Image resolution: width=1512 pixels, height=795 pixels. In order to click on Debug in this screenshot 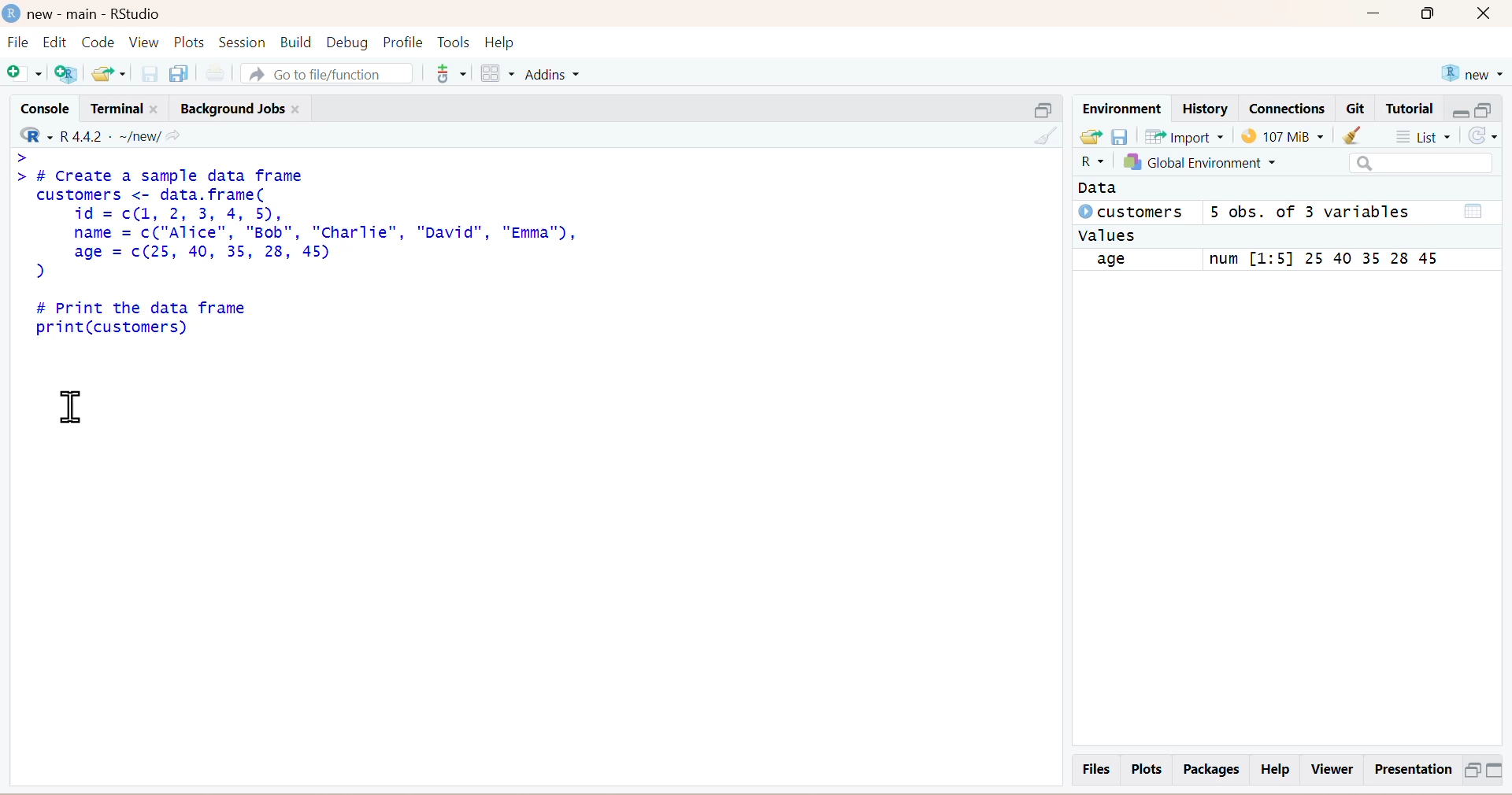, I will do `click(346, 41)`.